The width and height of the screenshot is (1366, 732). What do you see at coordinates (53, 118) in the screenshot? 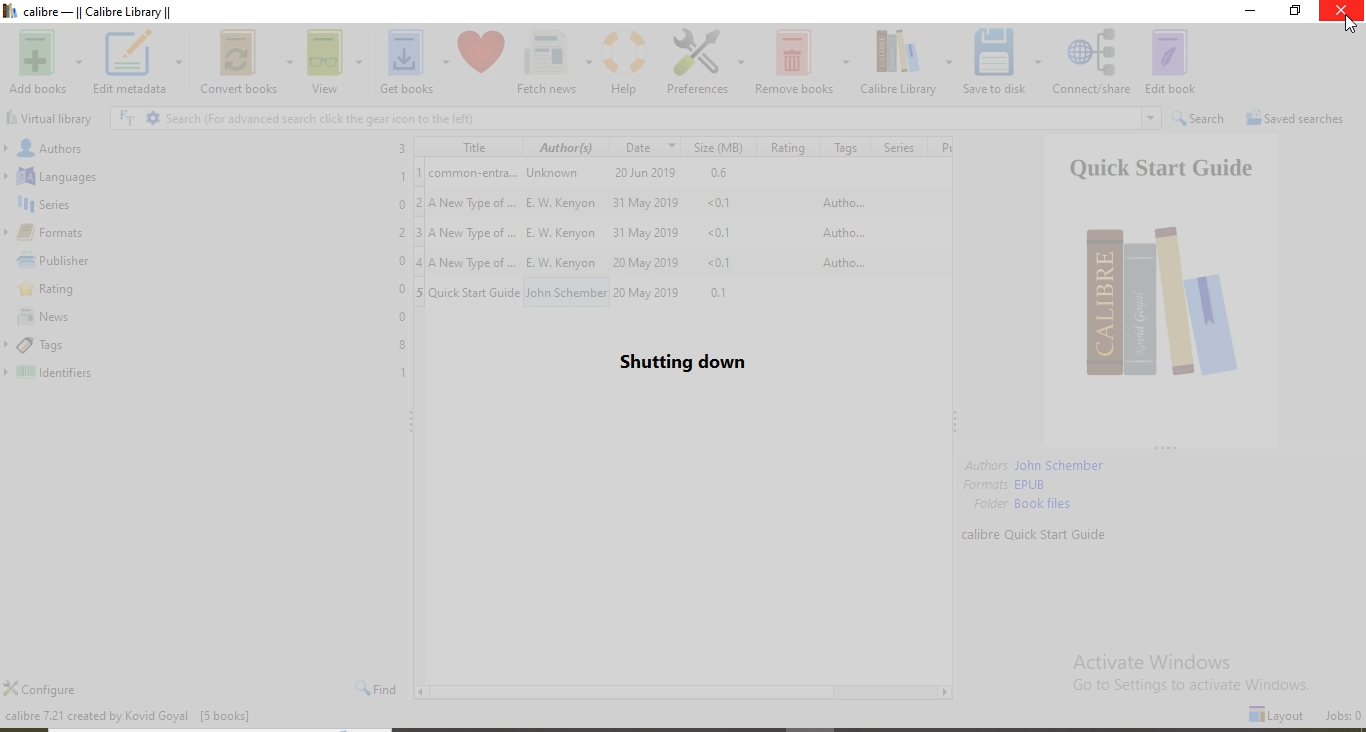
I see `virtual library` at bounding box center [53, 118].